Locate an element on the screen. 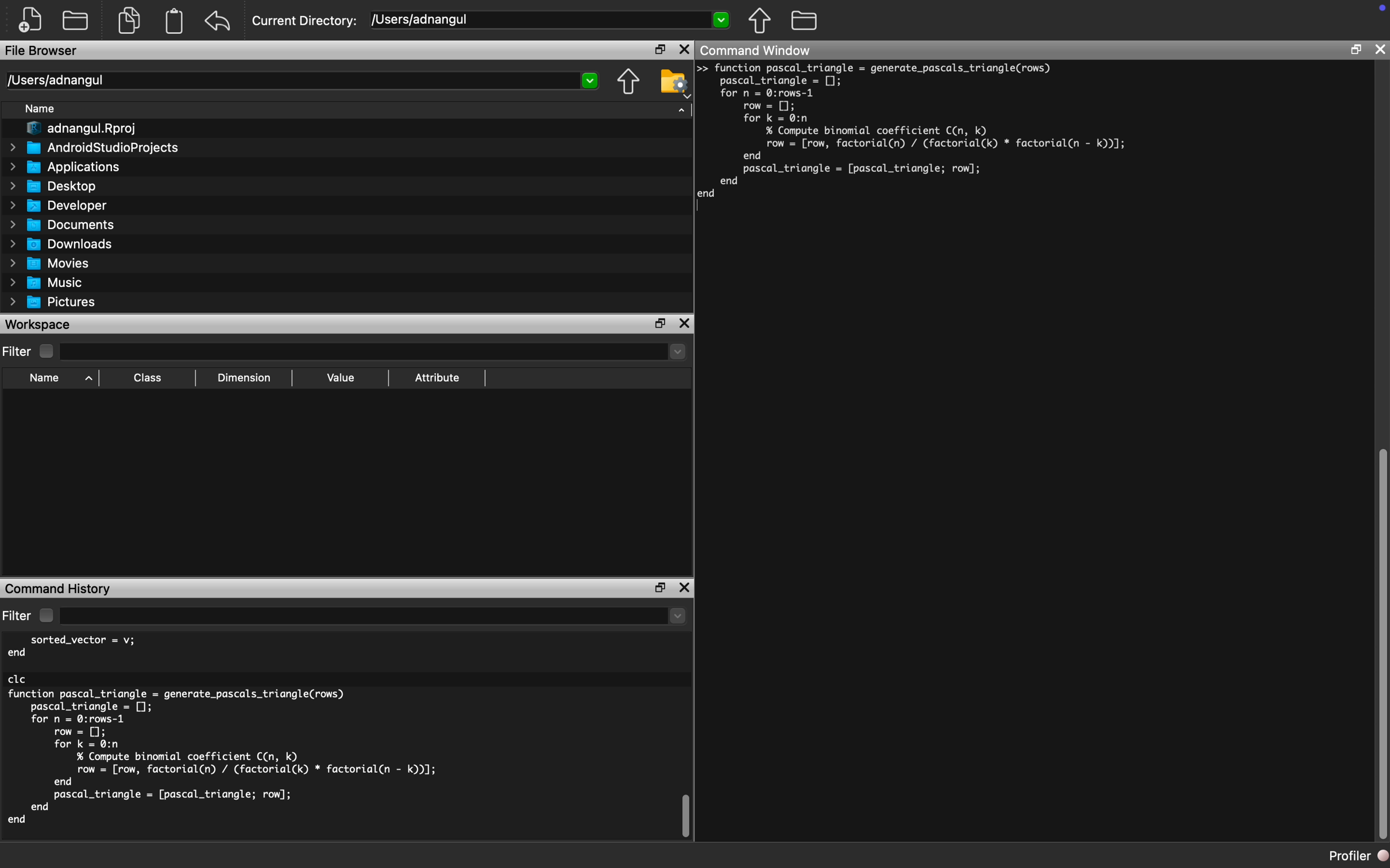 The width and height of the screenshot is (1390, 868). Workspace is located at coordinates (41, 324).